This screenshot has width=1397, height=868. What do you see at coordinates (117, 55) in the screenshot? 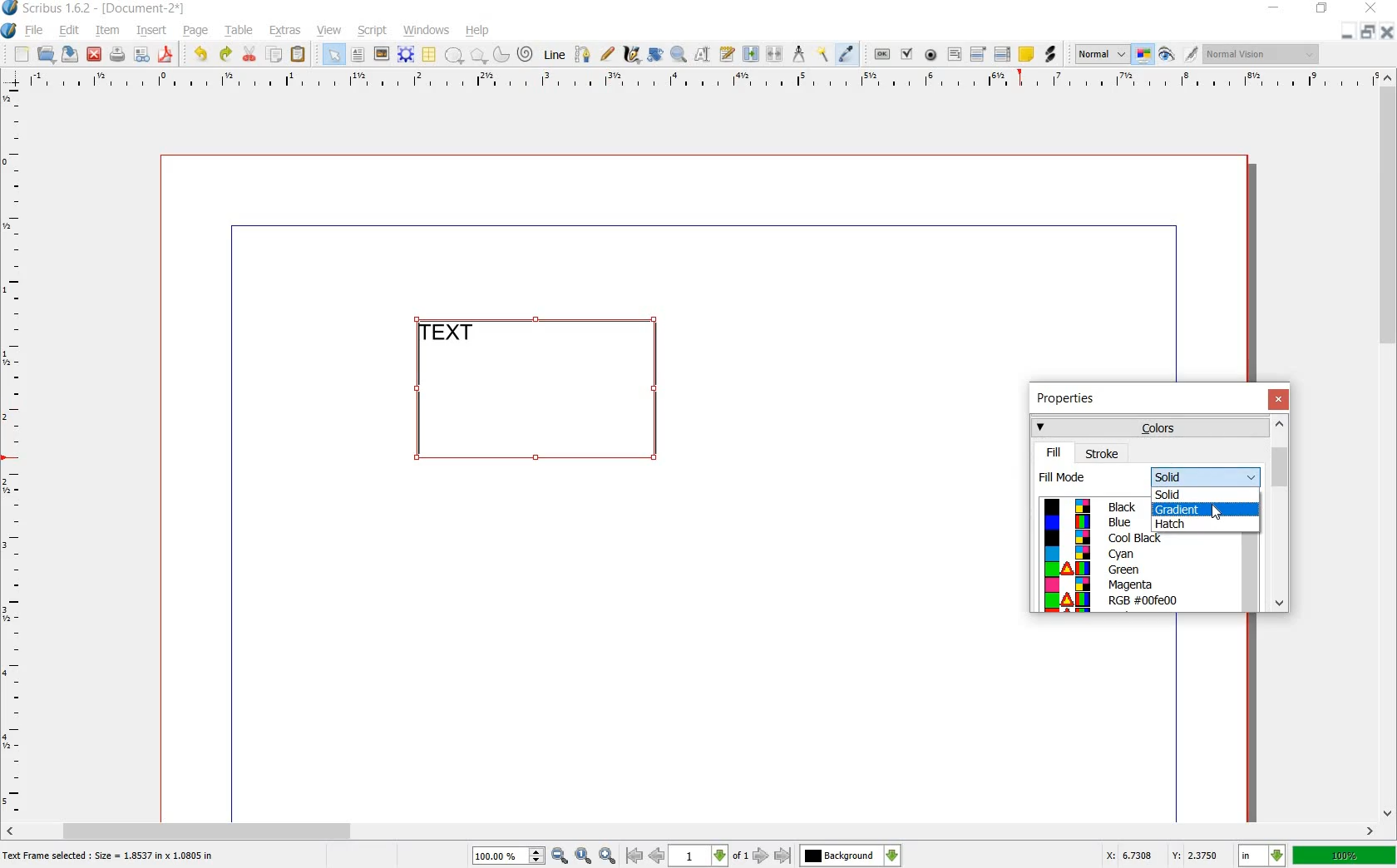
I see `print` at bounding box center [117, 55].